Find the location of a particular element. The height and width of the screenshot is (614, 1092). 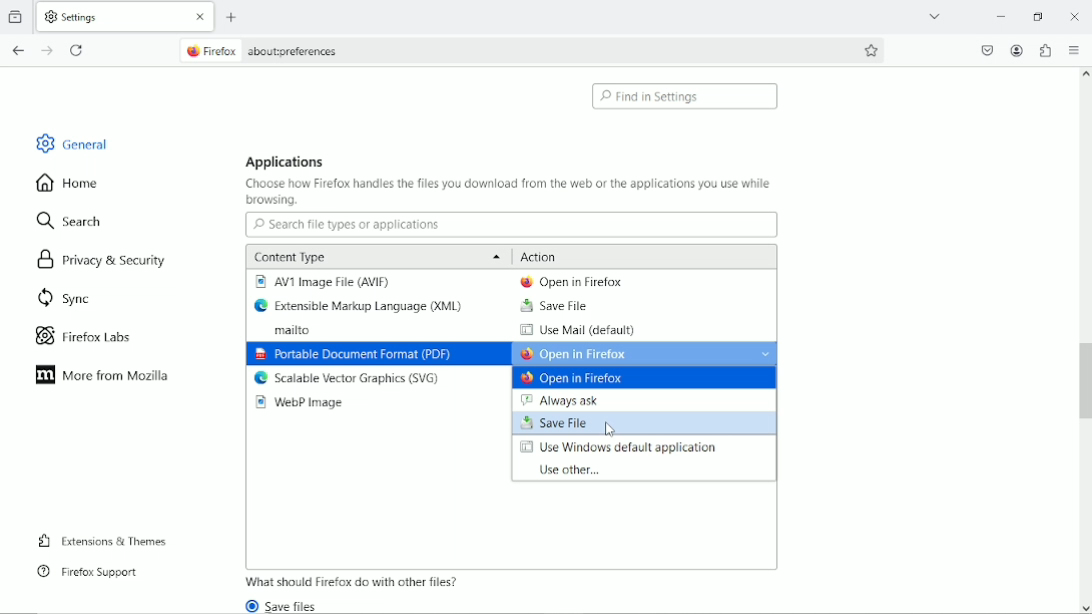

More from Mozilla is located at coordinates (102, 375).